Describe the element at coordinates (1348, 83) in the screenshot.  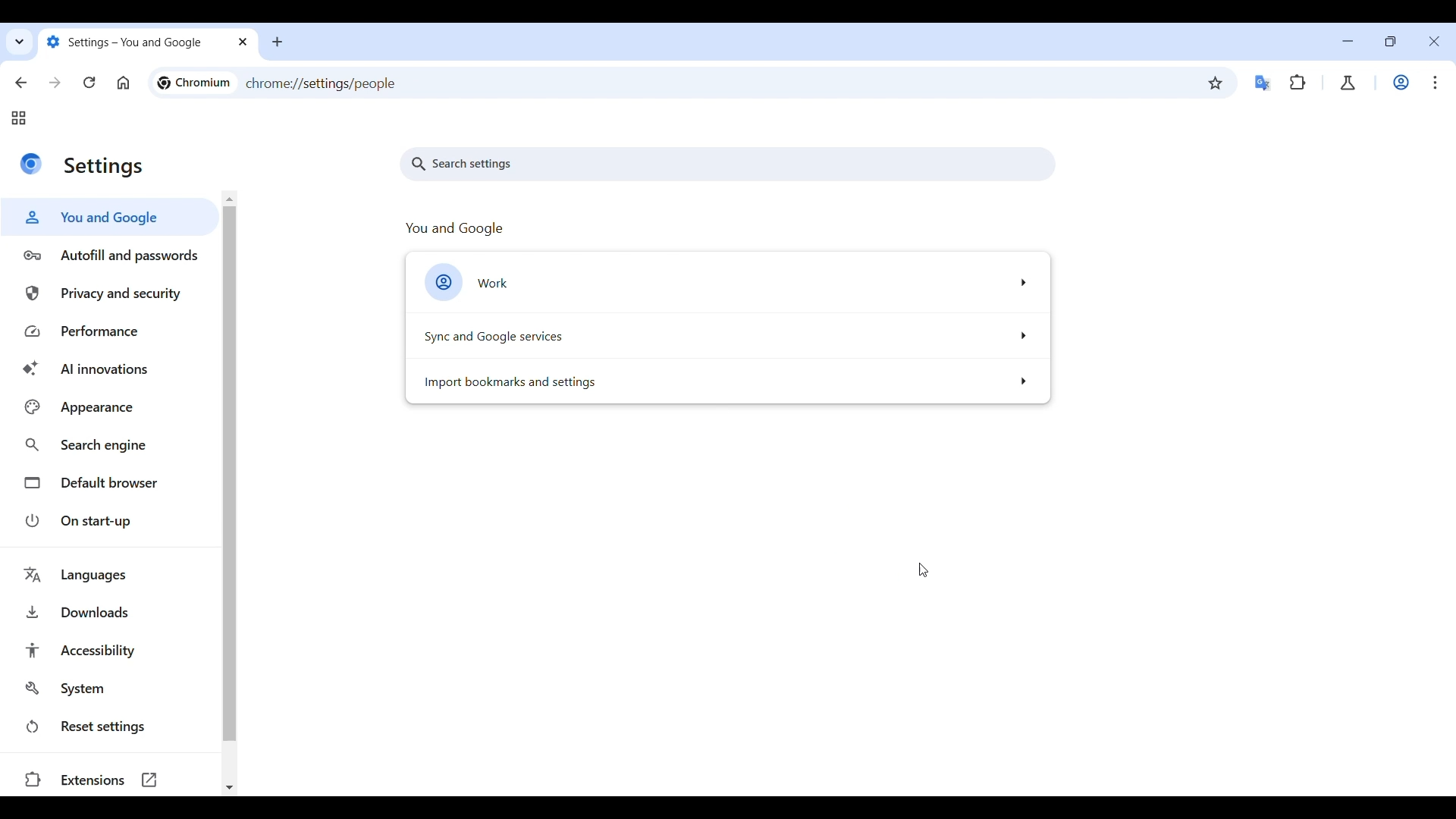
I see `Chrome labs` at that location.